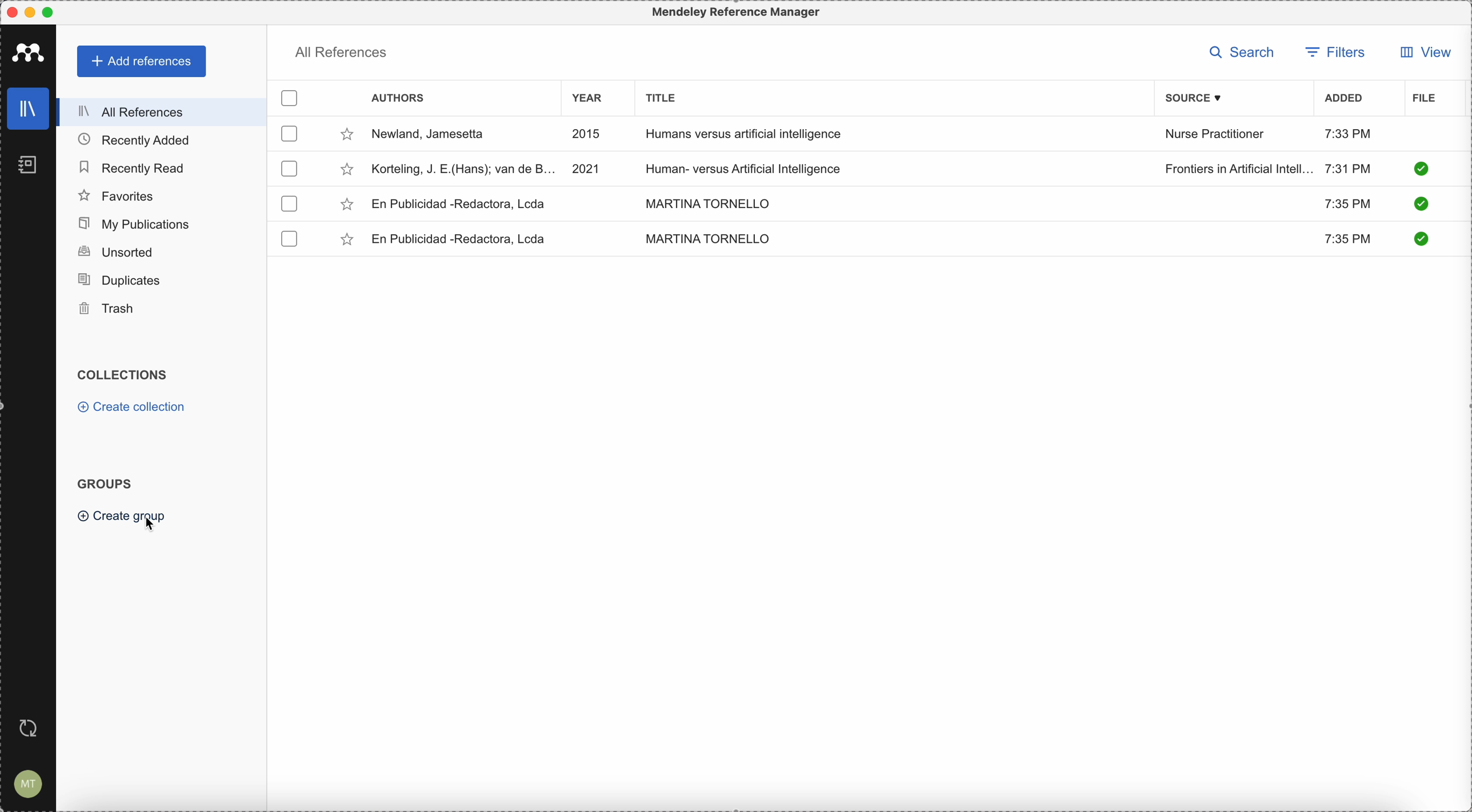 This screenshot has width=1472, height=812. Describe the element at coordinates (1217, 134) in the screenshot. I see `Nurse Practitioner` at that location.